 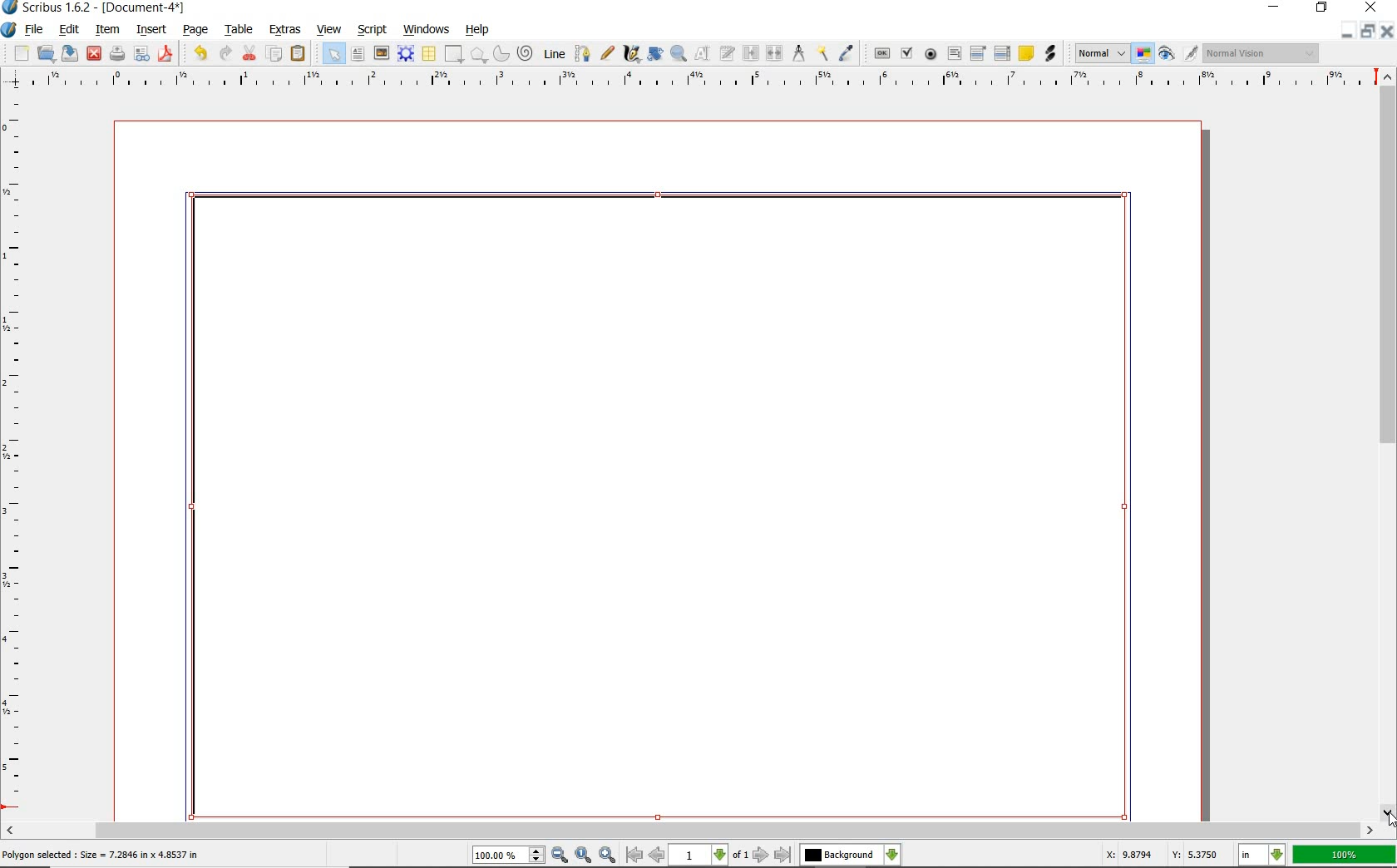 I want to click on save as pdf, so click(x=166, y=53).